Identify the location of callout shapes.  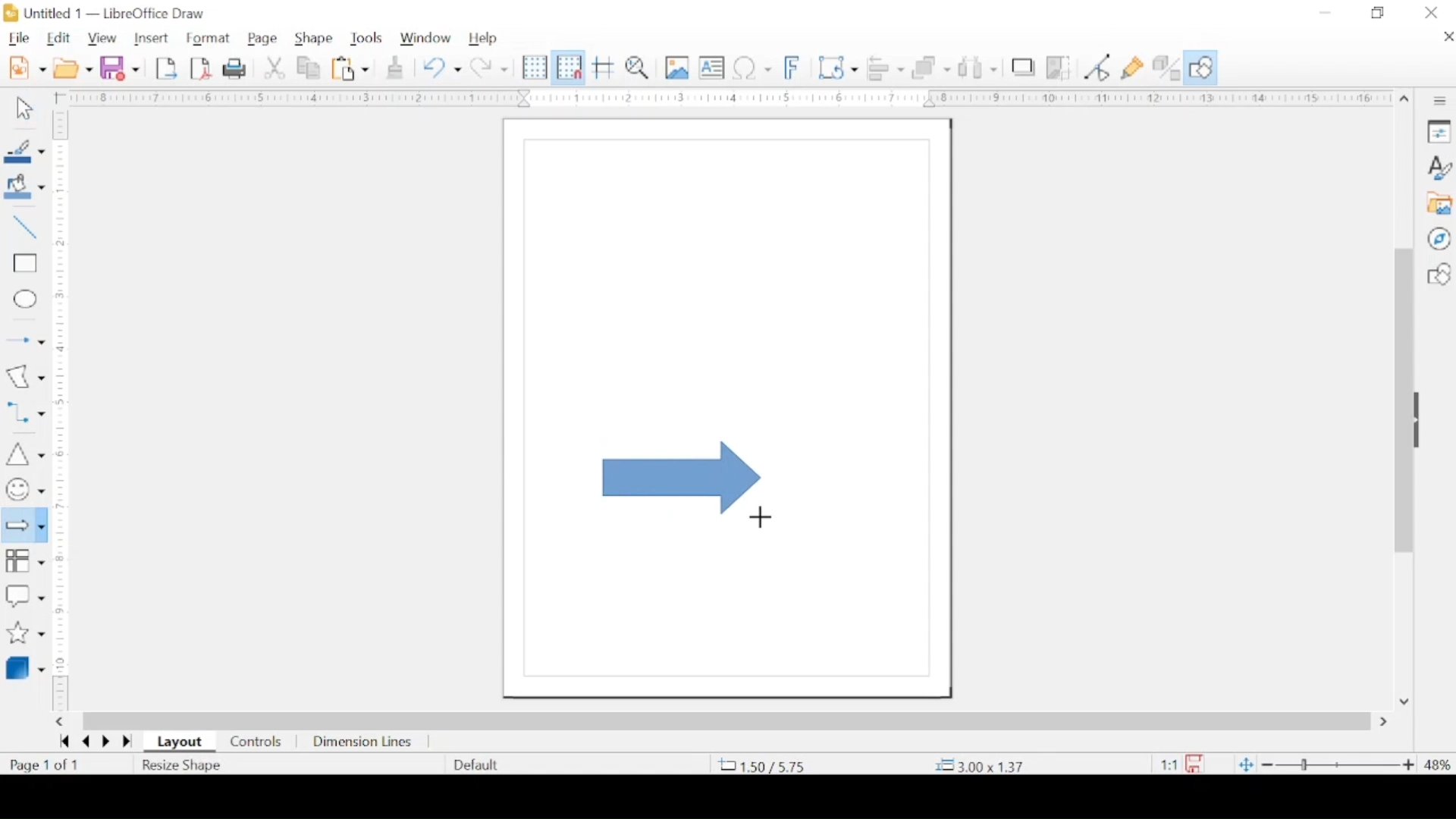
(24, 597).